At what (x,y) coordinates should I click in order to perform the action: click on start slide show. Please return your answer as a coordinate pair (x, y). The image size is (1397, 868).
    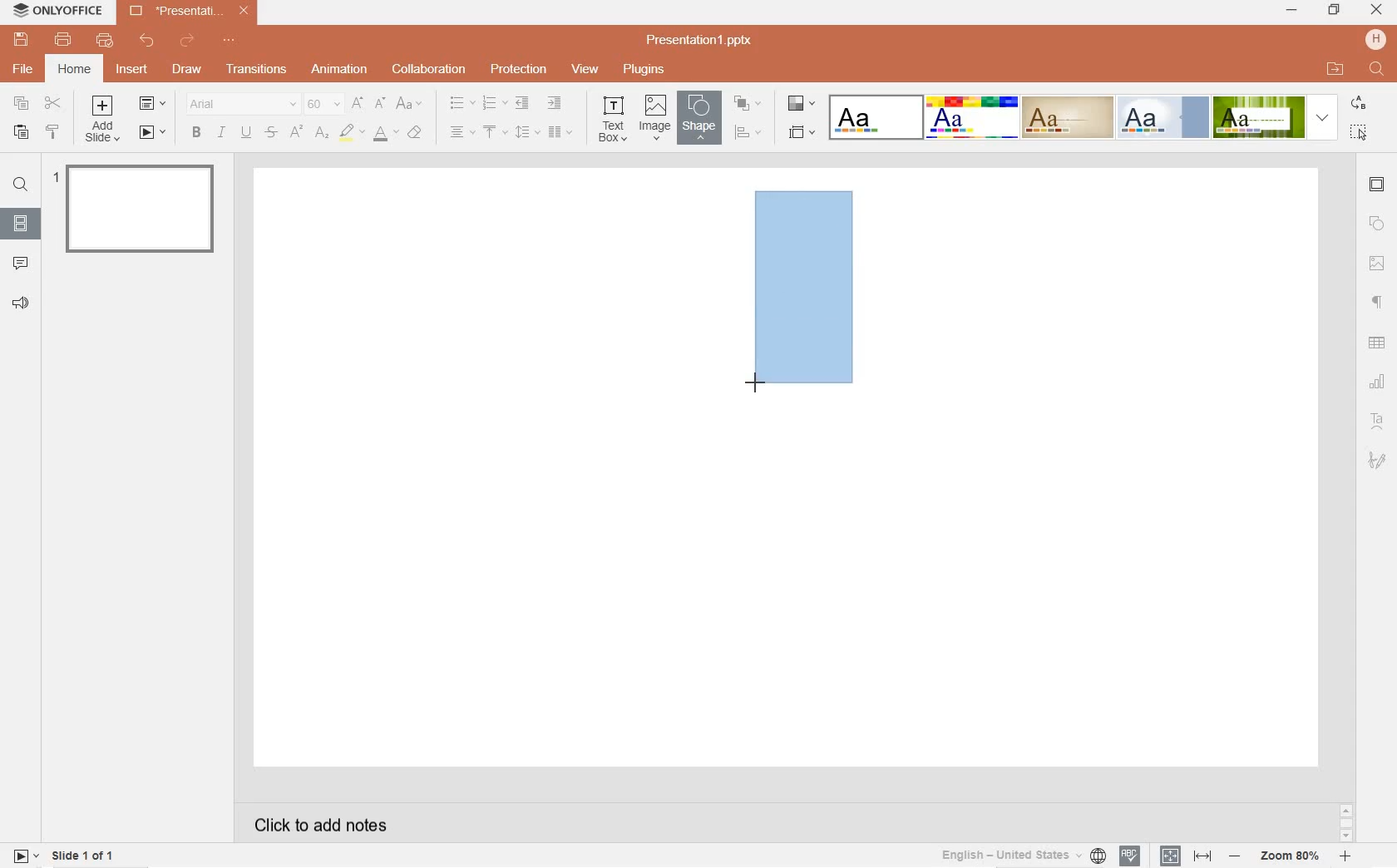
    Looking at the image, I should click on (153, 133).